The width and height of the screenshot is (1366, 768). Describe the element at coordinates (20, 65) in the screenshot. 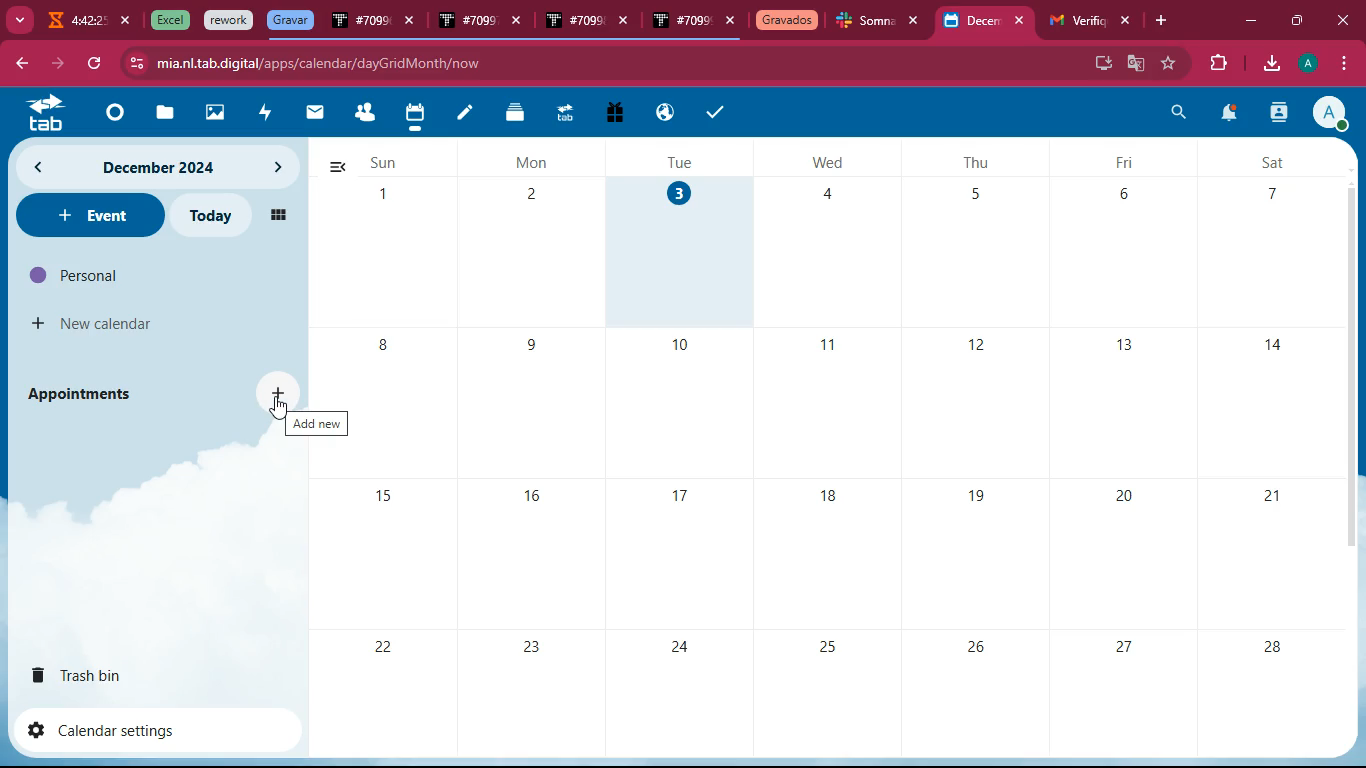

I see `back` at that location.